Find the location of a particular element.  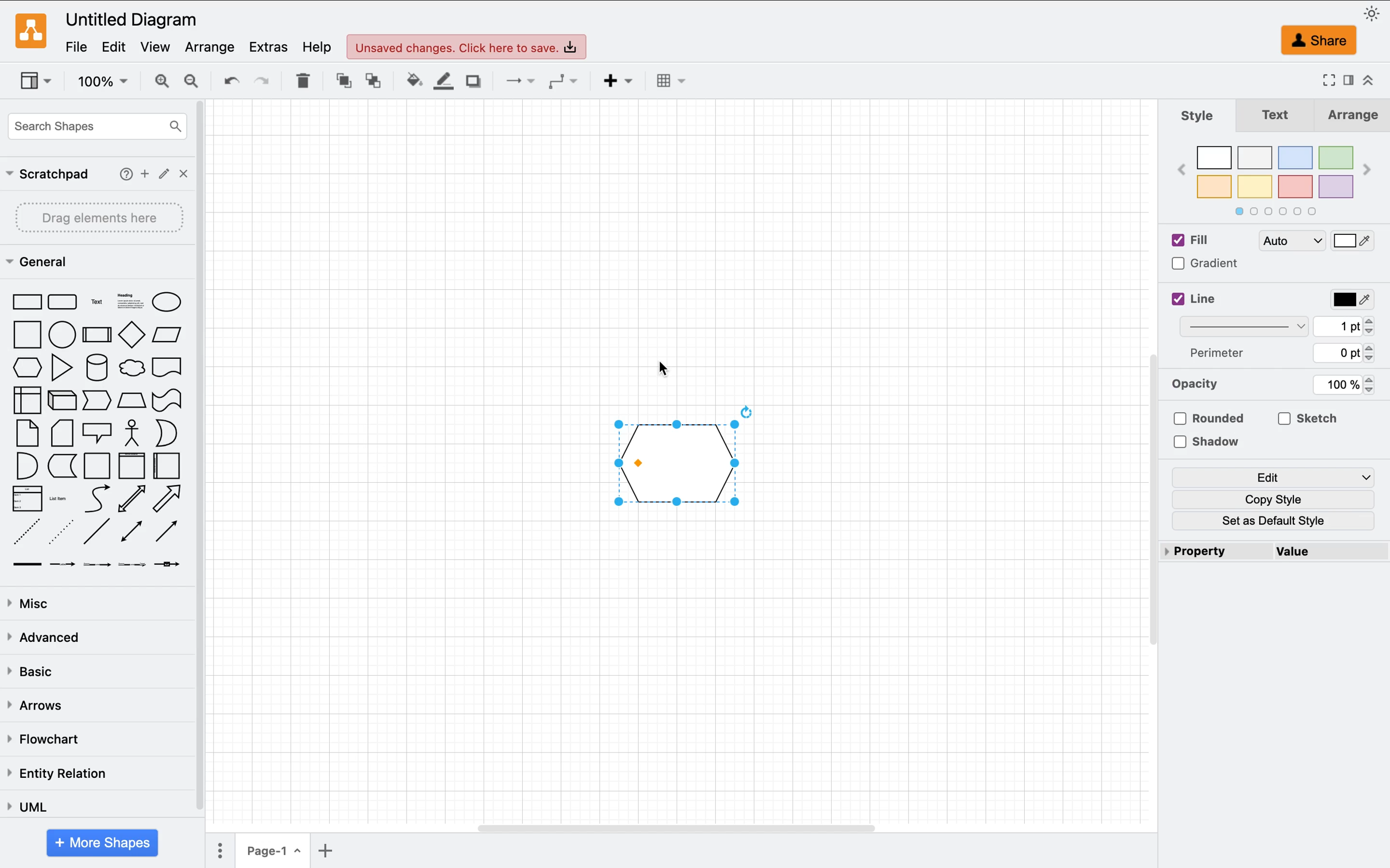

waypoint is located at coordinates (562, 82).